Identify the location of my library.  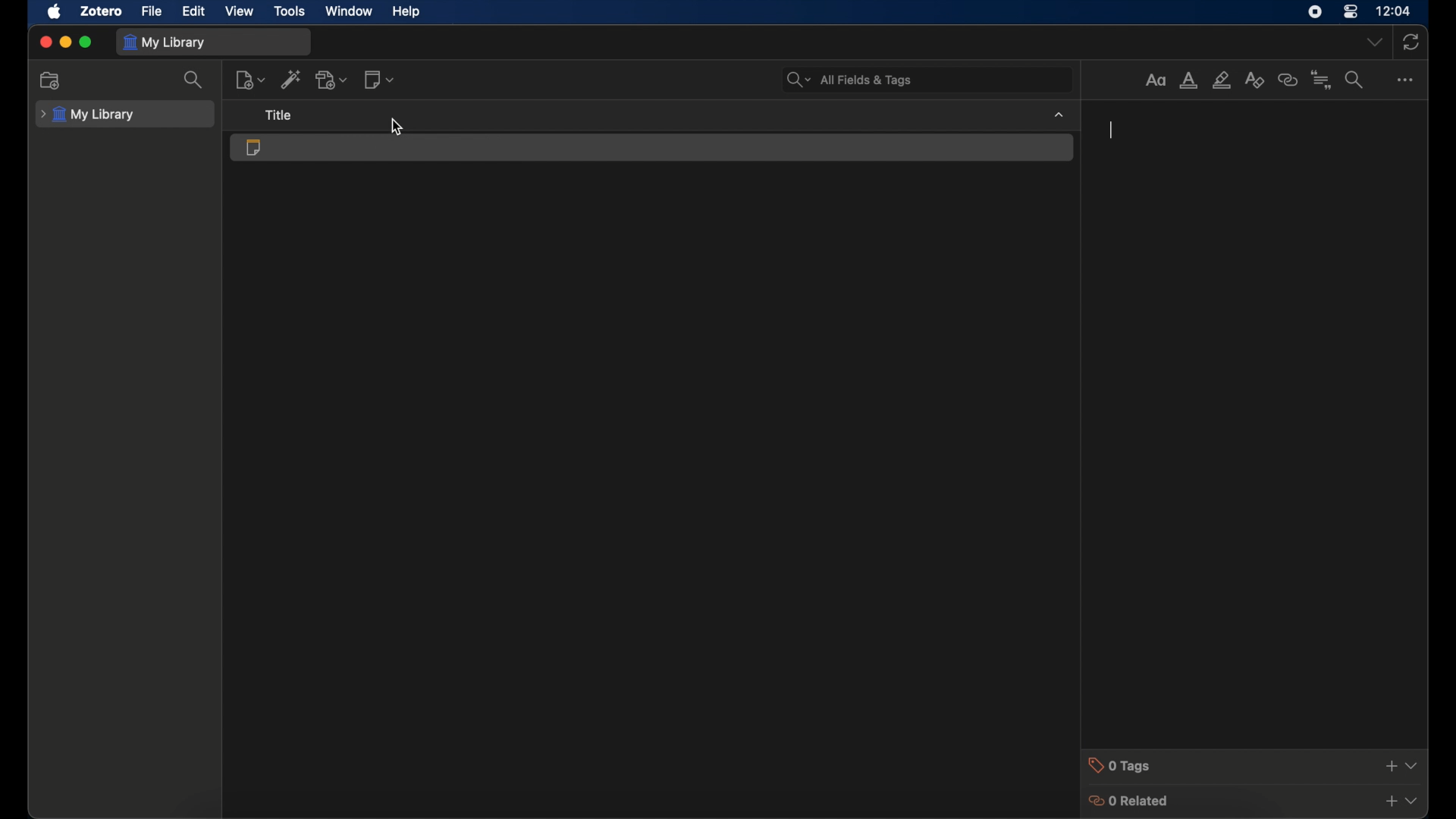
(165, 42).